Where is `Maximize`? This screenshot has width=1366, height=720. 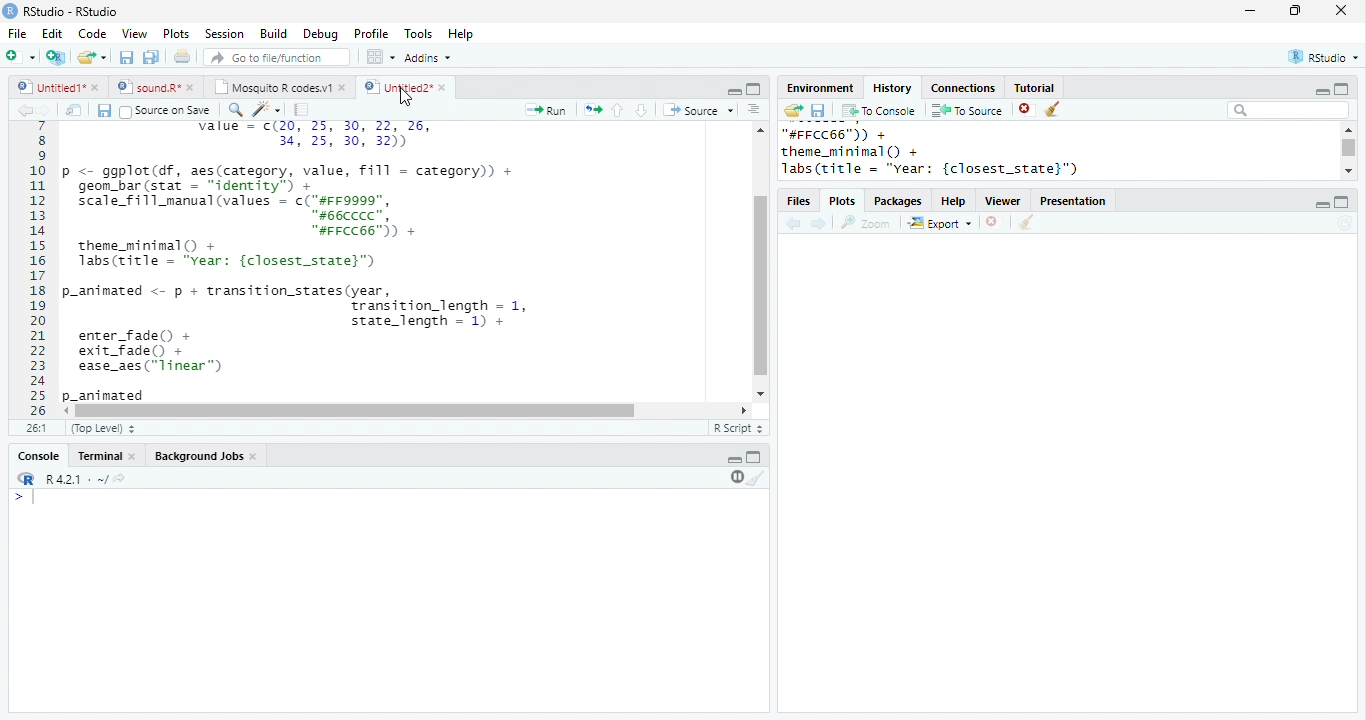 Maximize is located at coordinates (754, 89).